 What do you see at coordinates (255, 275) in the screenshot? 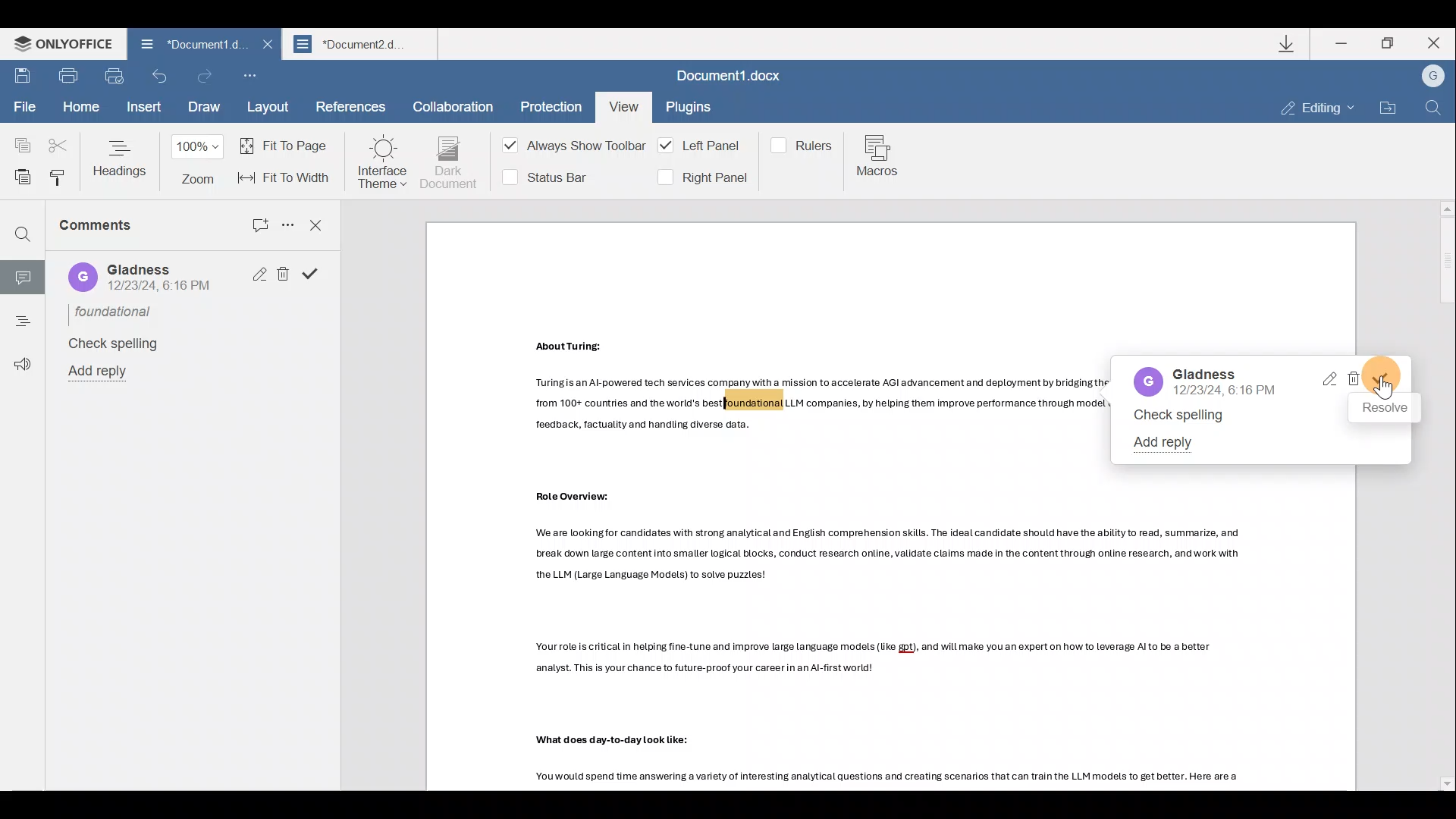
I see `Edit` at bounding box center [255, 275].